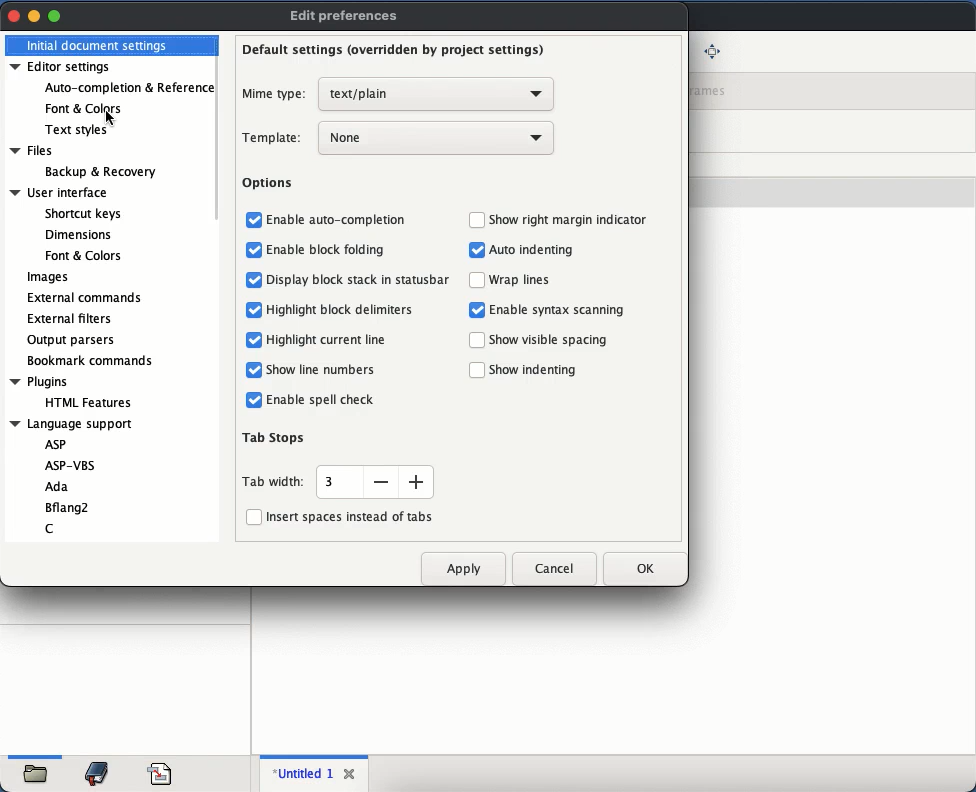 The height and width of the screenshot is (792, 976). What do you see at coordinates (637, 566) in the screenshot?
I see `ok` at bounding box center [637, 566].